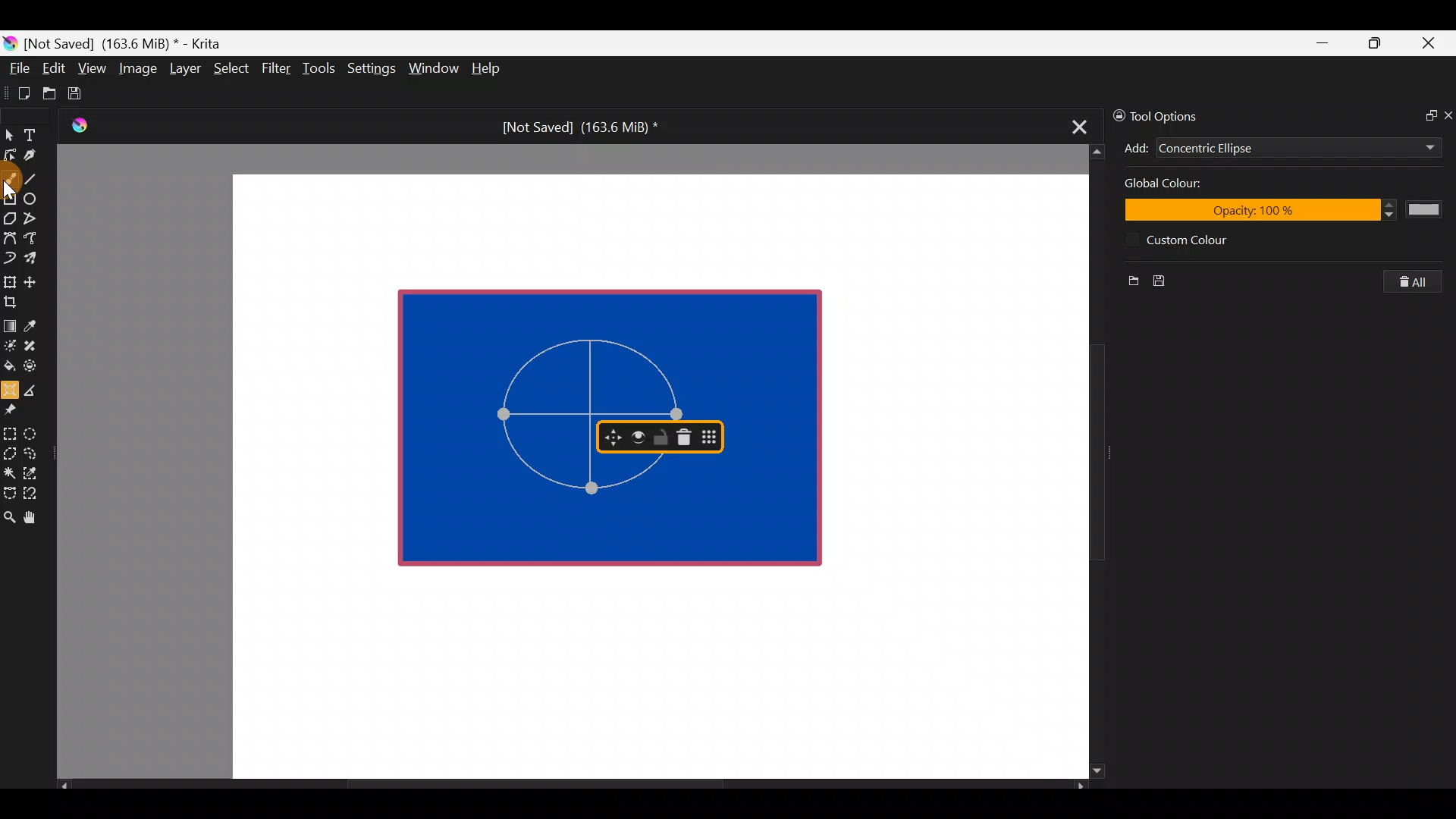 The image size is (1456, 819). I want to click on [Not Saved] (163.6 MiB) *, so click(574, 127).